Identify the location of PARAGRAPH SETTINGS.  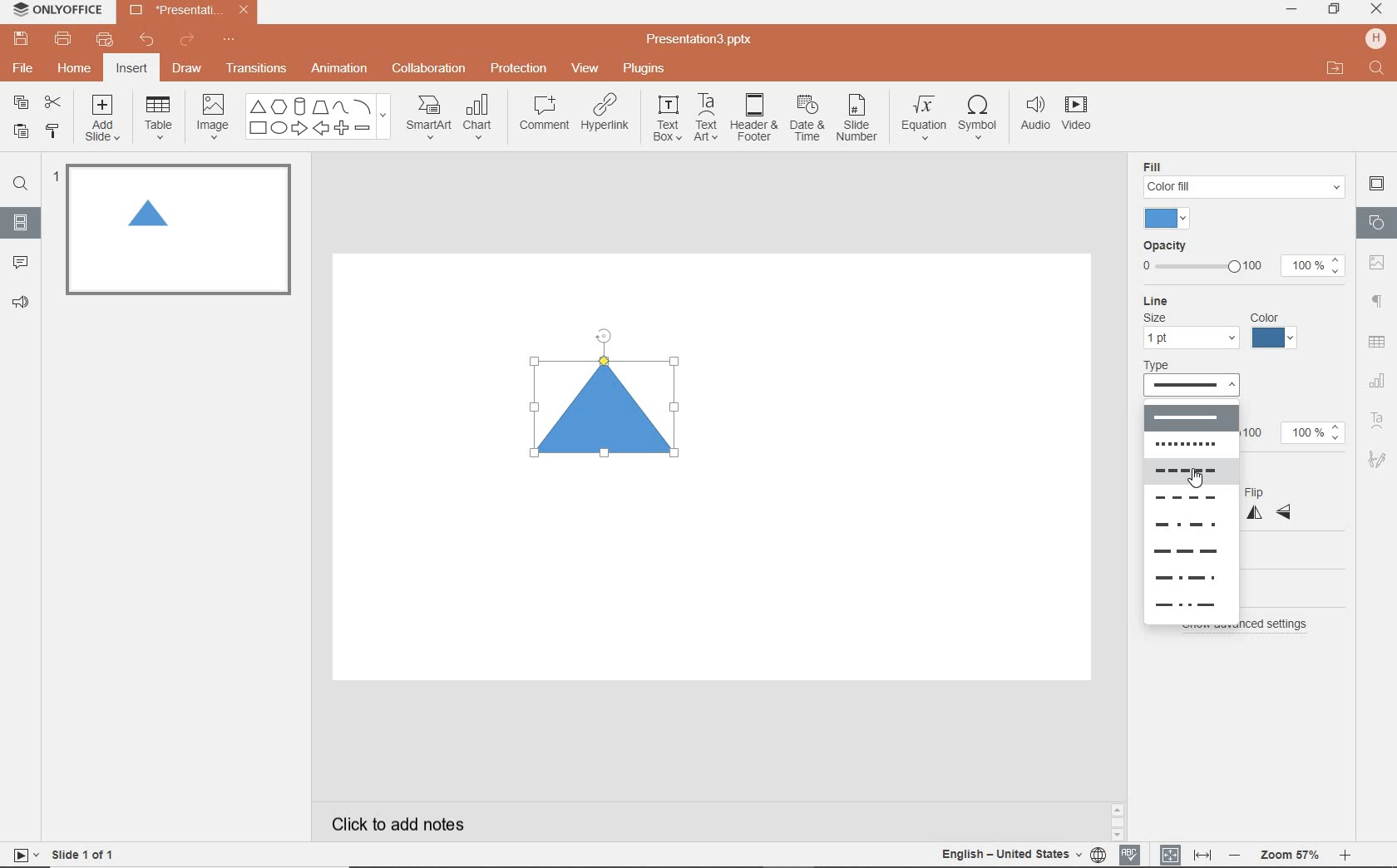
(1378, 302).